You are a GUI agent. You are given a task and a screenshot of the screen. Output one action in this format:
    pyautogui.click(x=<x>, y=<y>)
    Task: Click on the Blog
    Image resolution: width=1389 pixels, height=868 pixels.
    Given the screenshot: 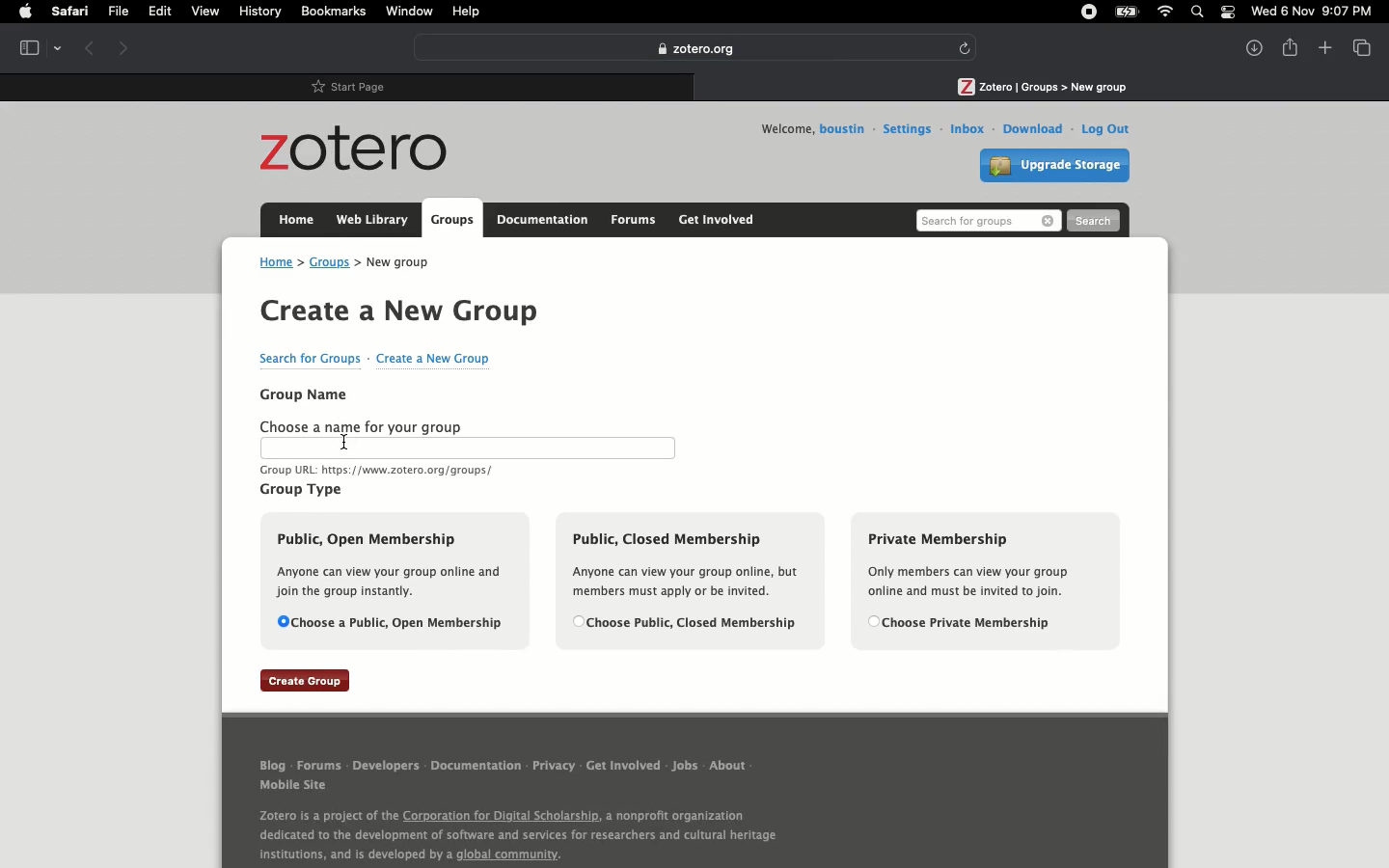 What is the action you would take?
    pyautogui.click(x=271, y=767)
    